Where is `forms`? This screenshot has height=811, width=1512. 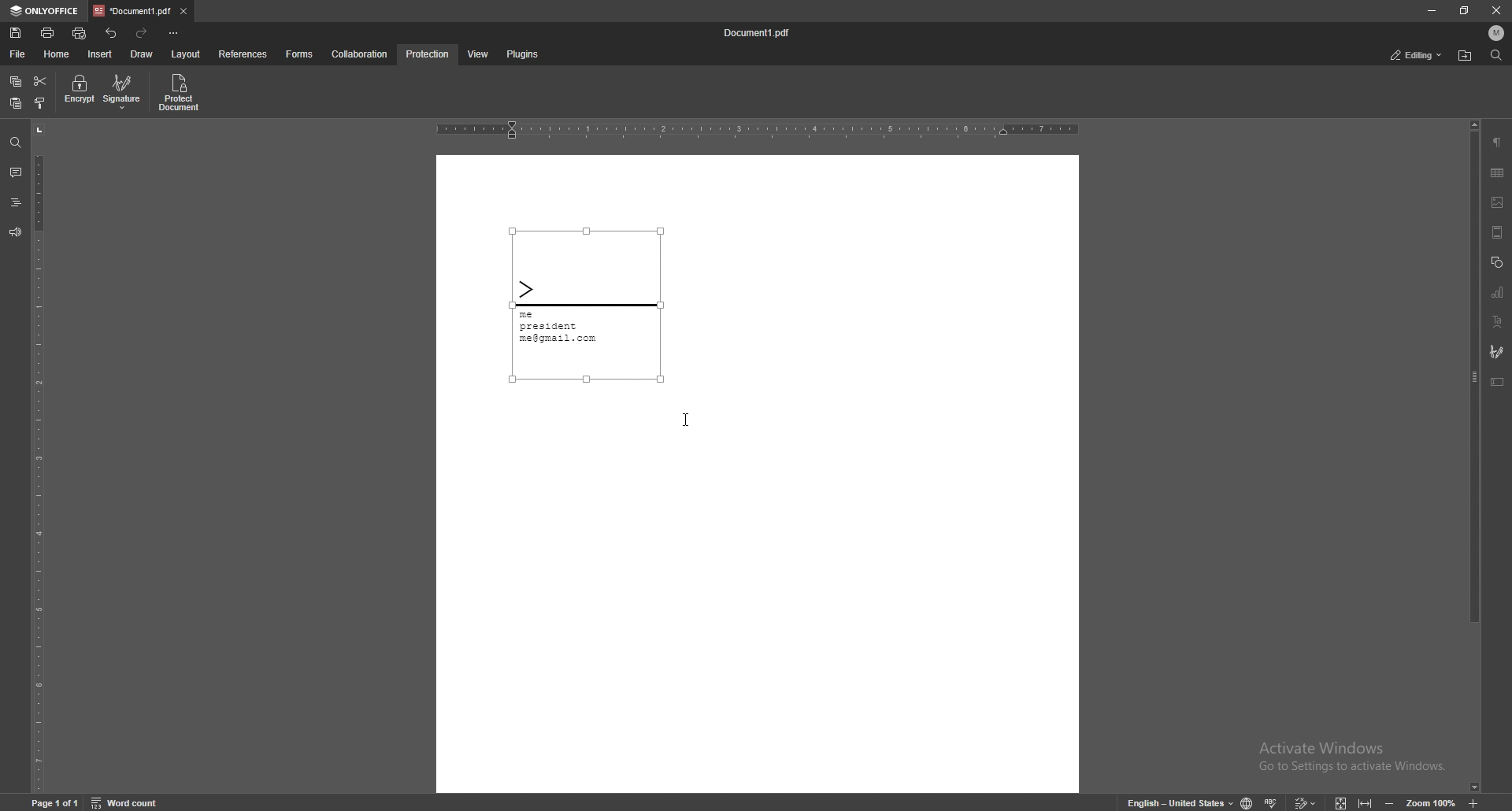
forms is located at coordinates (301, 54).